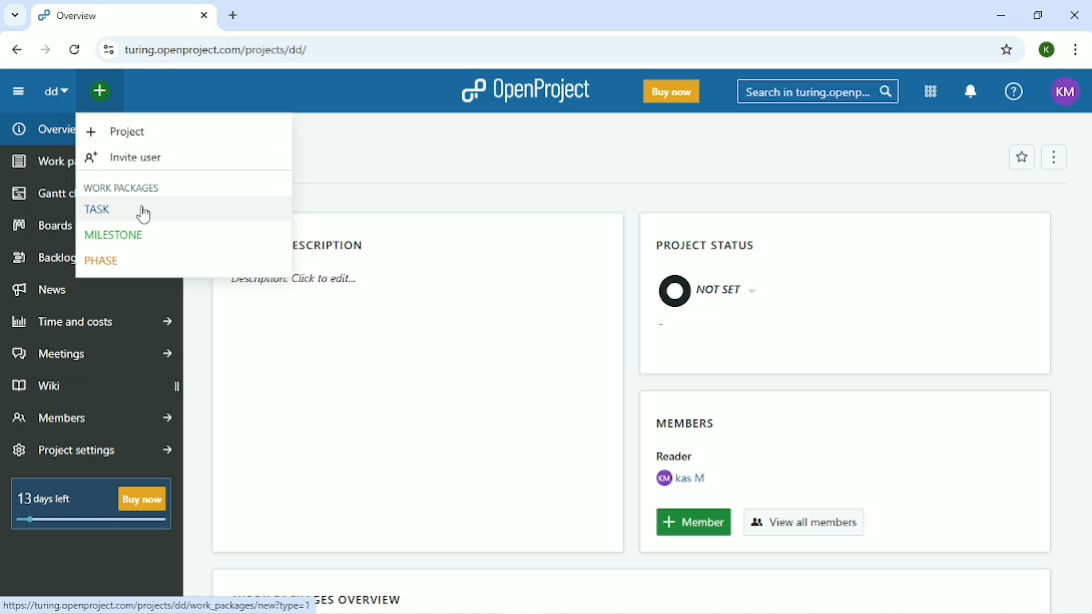  Describe the element at coordinates (227, 49) in the screenshot. I see `turing.openproject.com/projects/dd/` at that location.